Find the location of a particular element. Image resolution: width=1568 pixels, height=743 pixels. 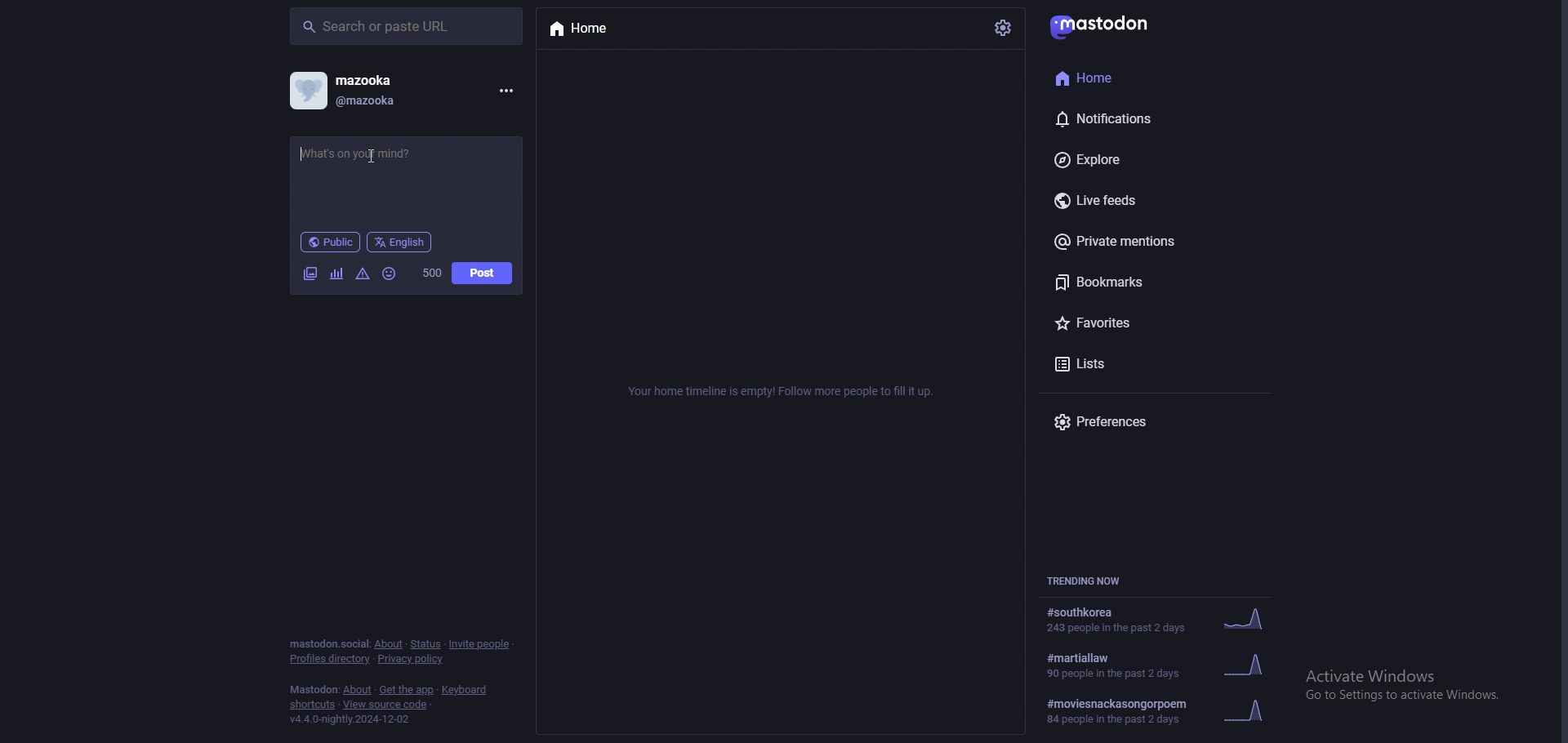

Cursor is located at coordinates (372, 157).